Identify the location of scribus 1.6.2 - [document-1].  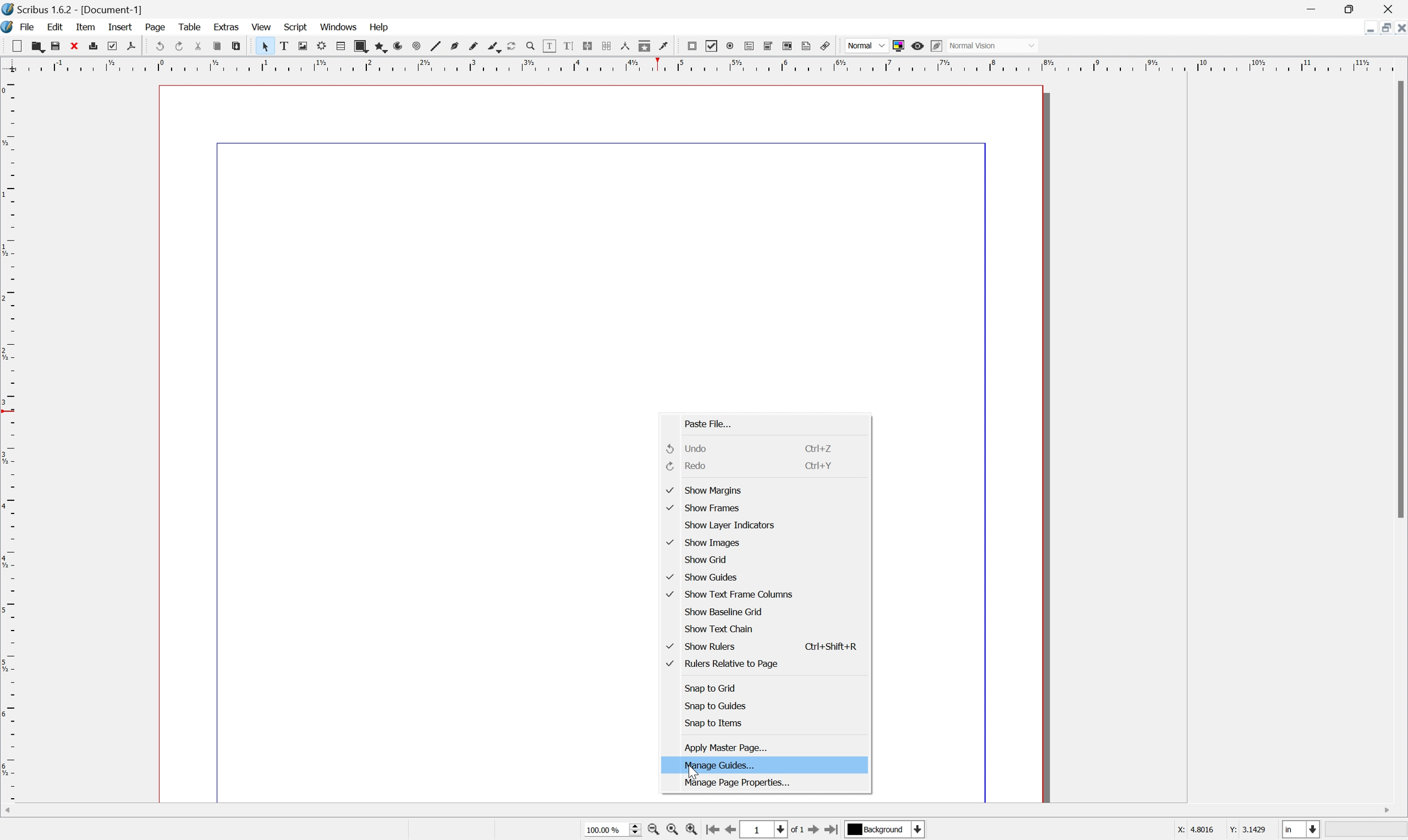
(72, 8).